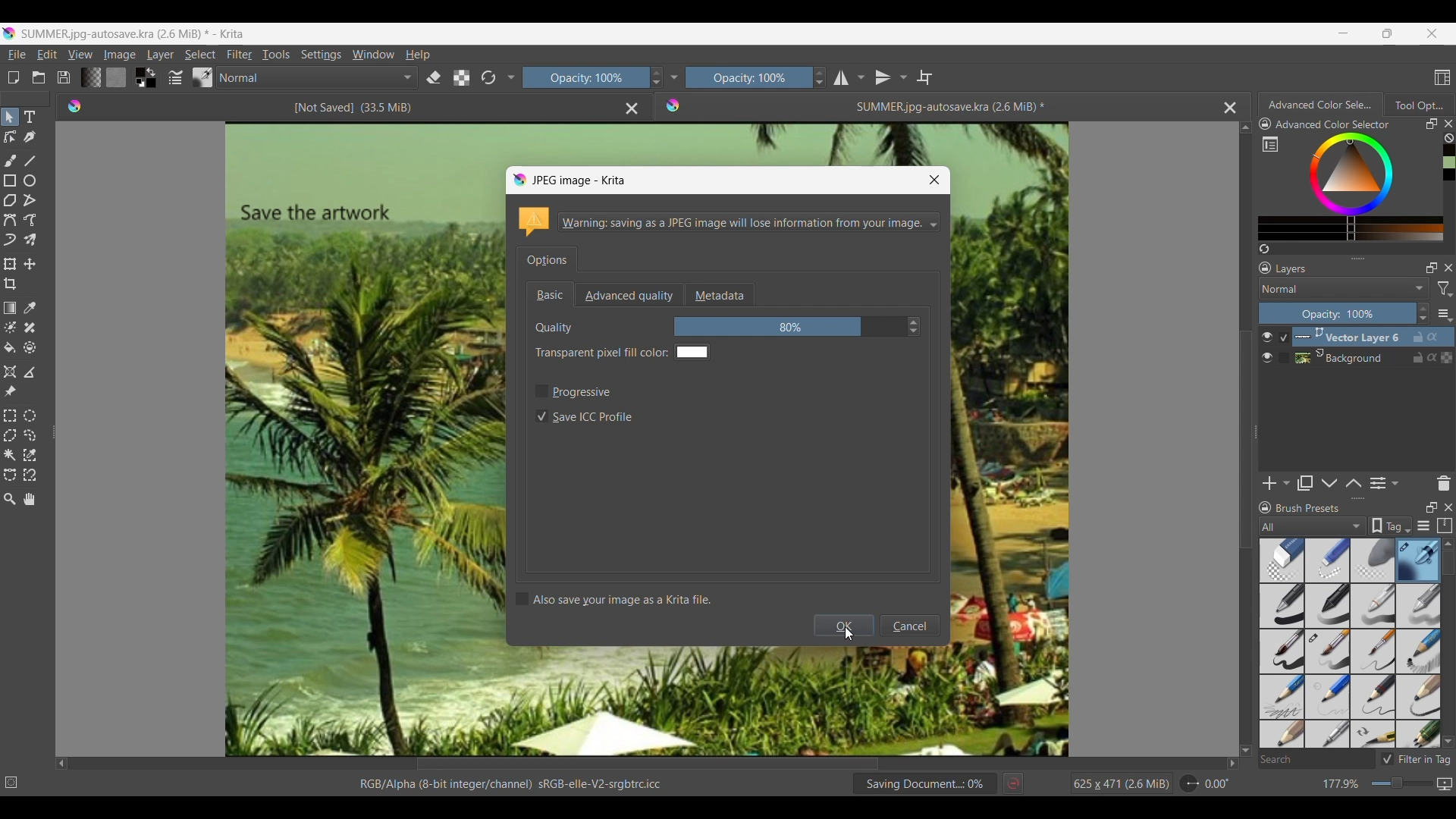 The height and width of the screenshot is (819, 1456). I want to click on Cursor on File, so click(17, 56).